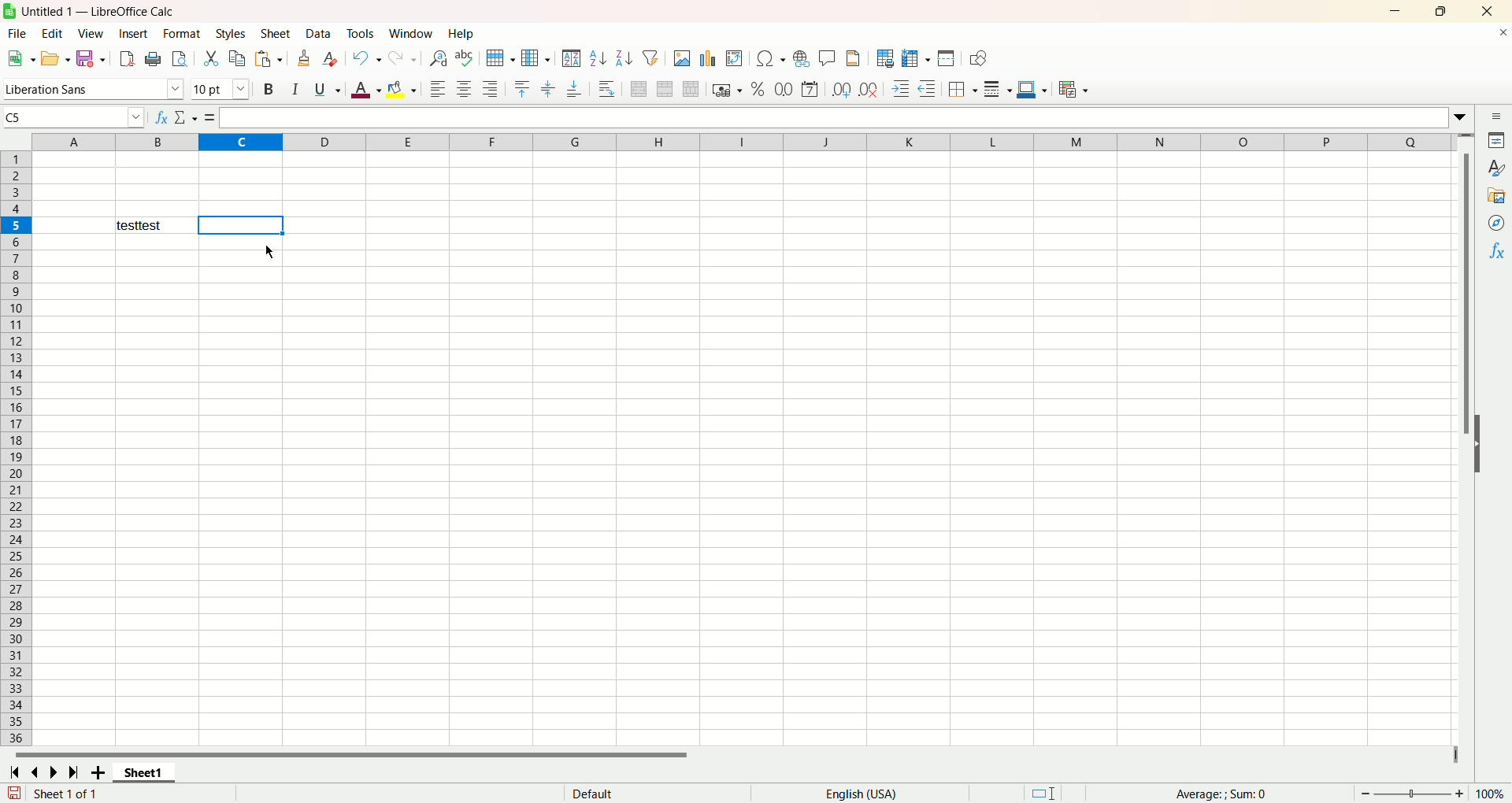 The image size is (1512, 803). What do you see at coordinates (726, 91) in the screenshot?
I see `format as currency` at bounding box center [726, 91].